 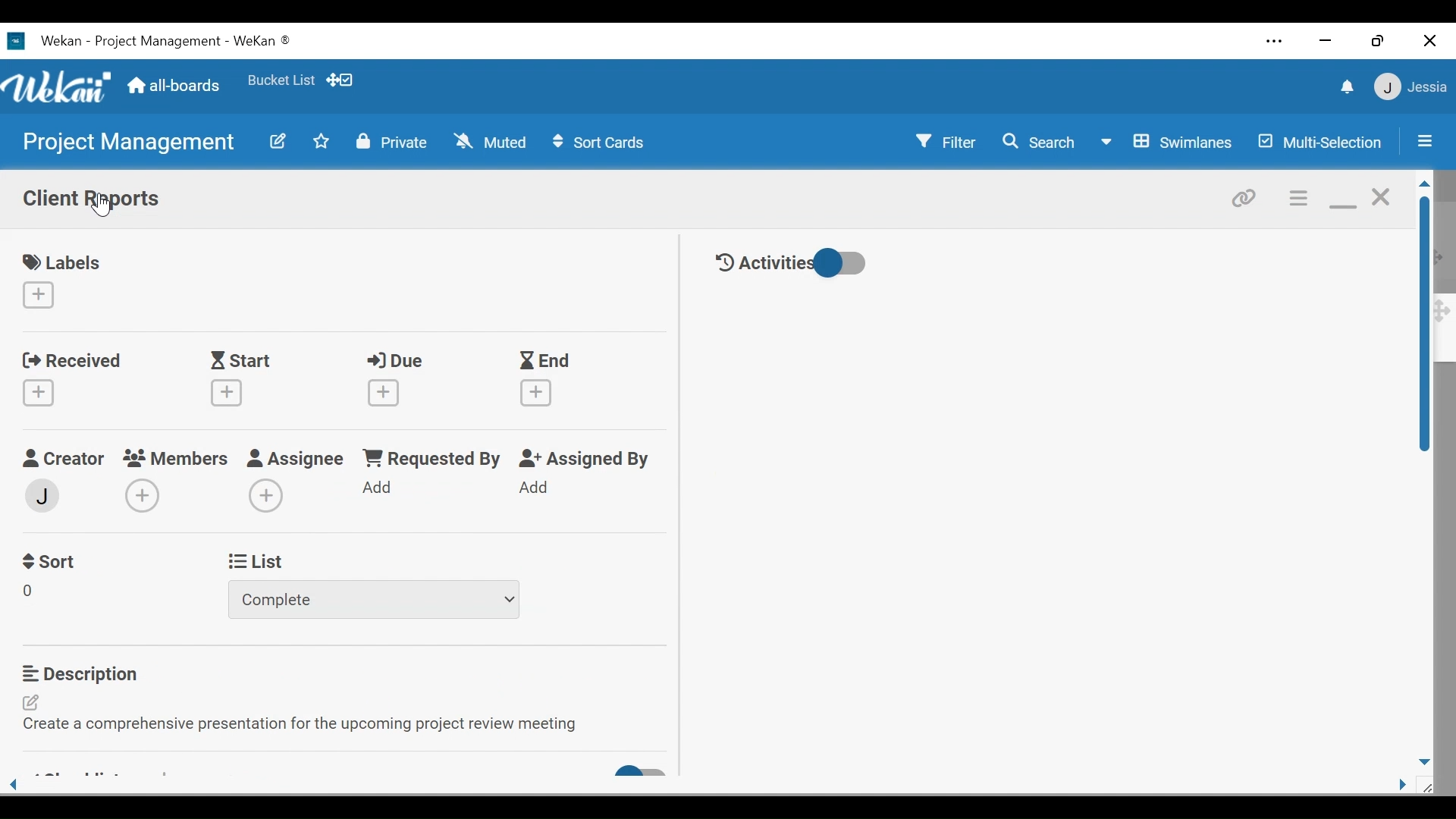 What do you see at coordinates (435, 459) in the screenshot?
I see `Requested By` at bounding box center [435, 459].